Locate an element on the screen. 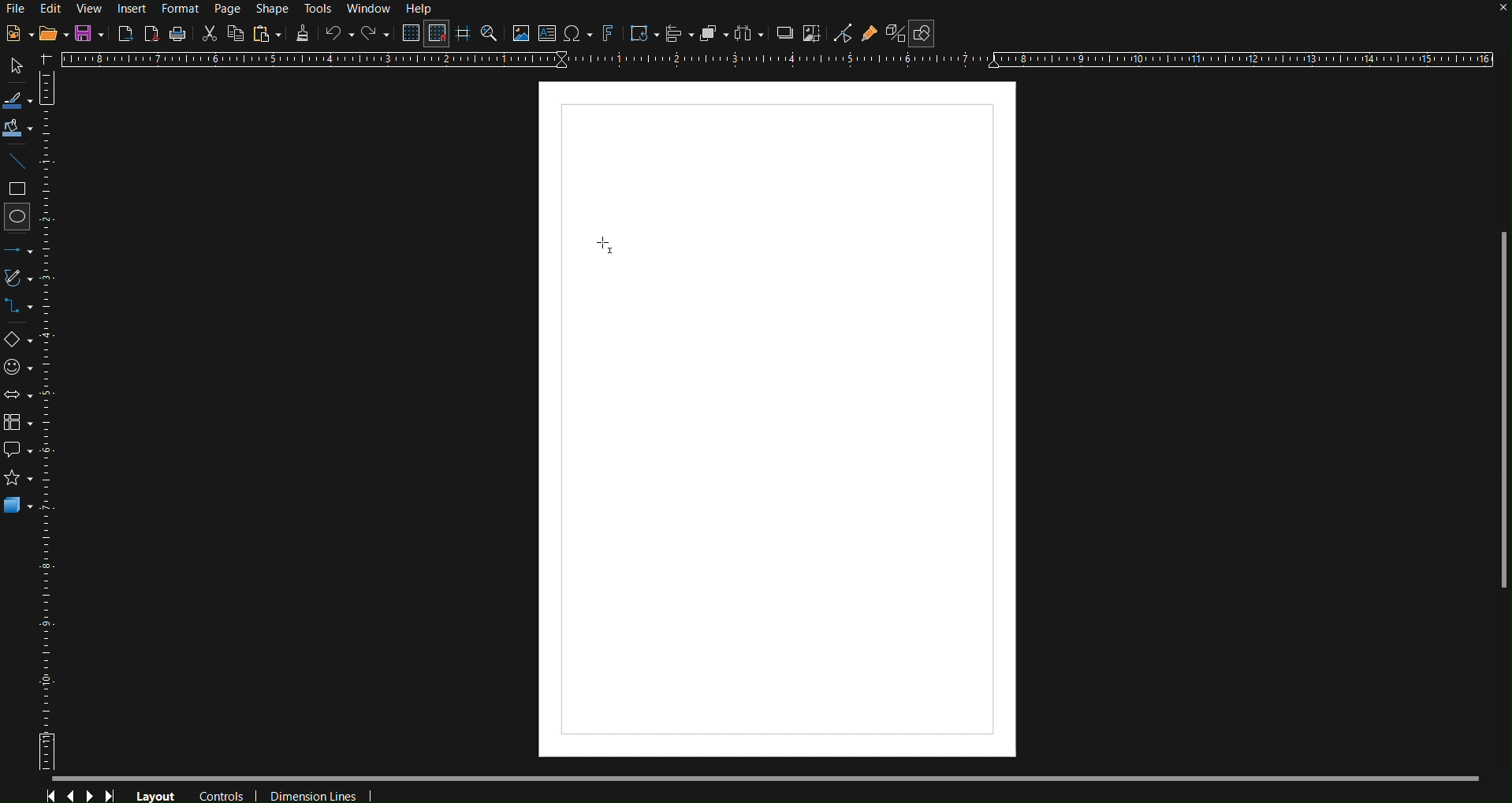 This screenshot has height=803, width=1512. Insert is located at coordinates (134, 9).